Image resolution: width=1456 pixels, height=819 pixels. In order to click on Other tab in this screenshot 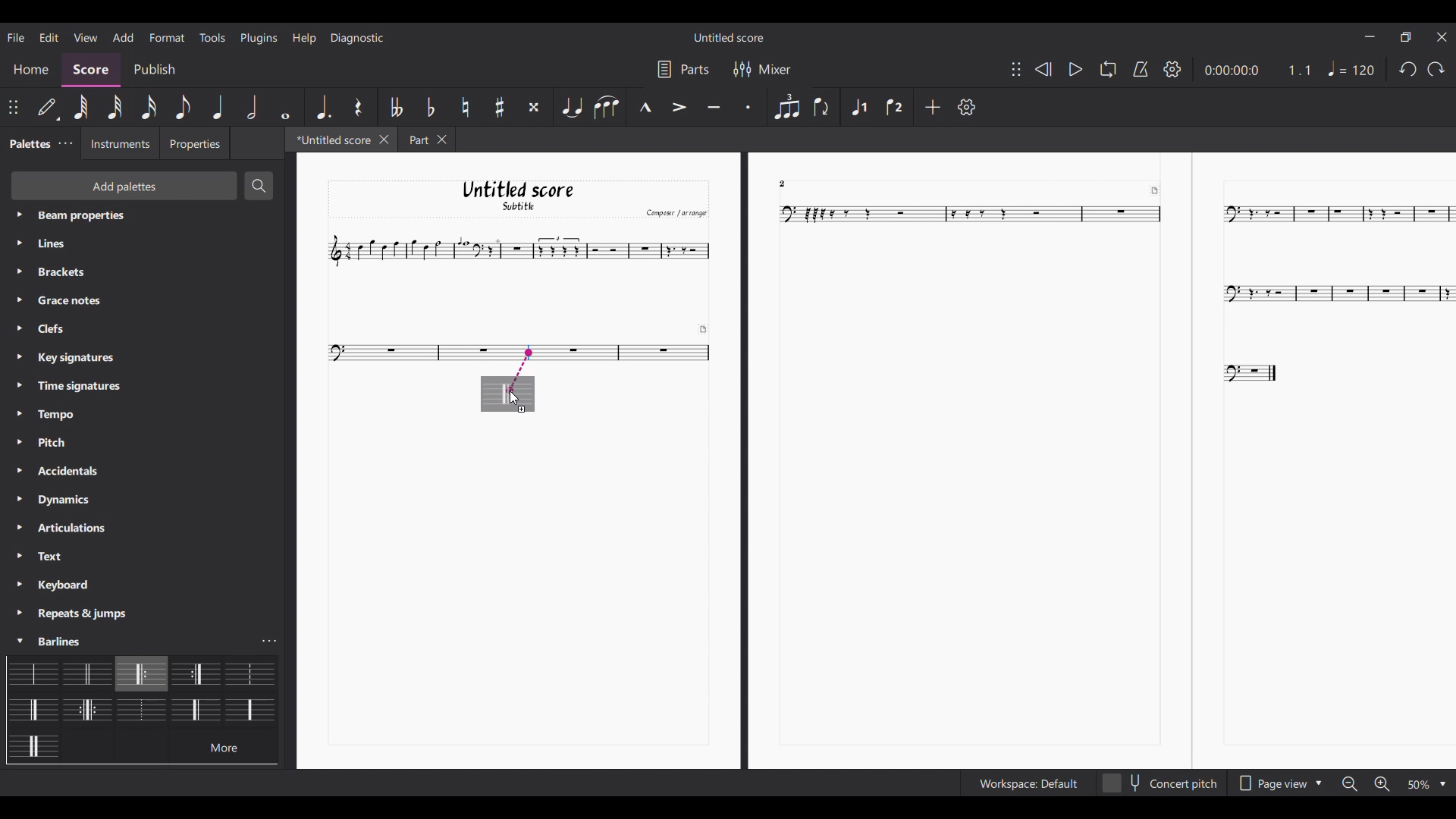, I will do `click(426, 140)`.